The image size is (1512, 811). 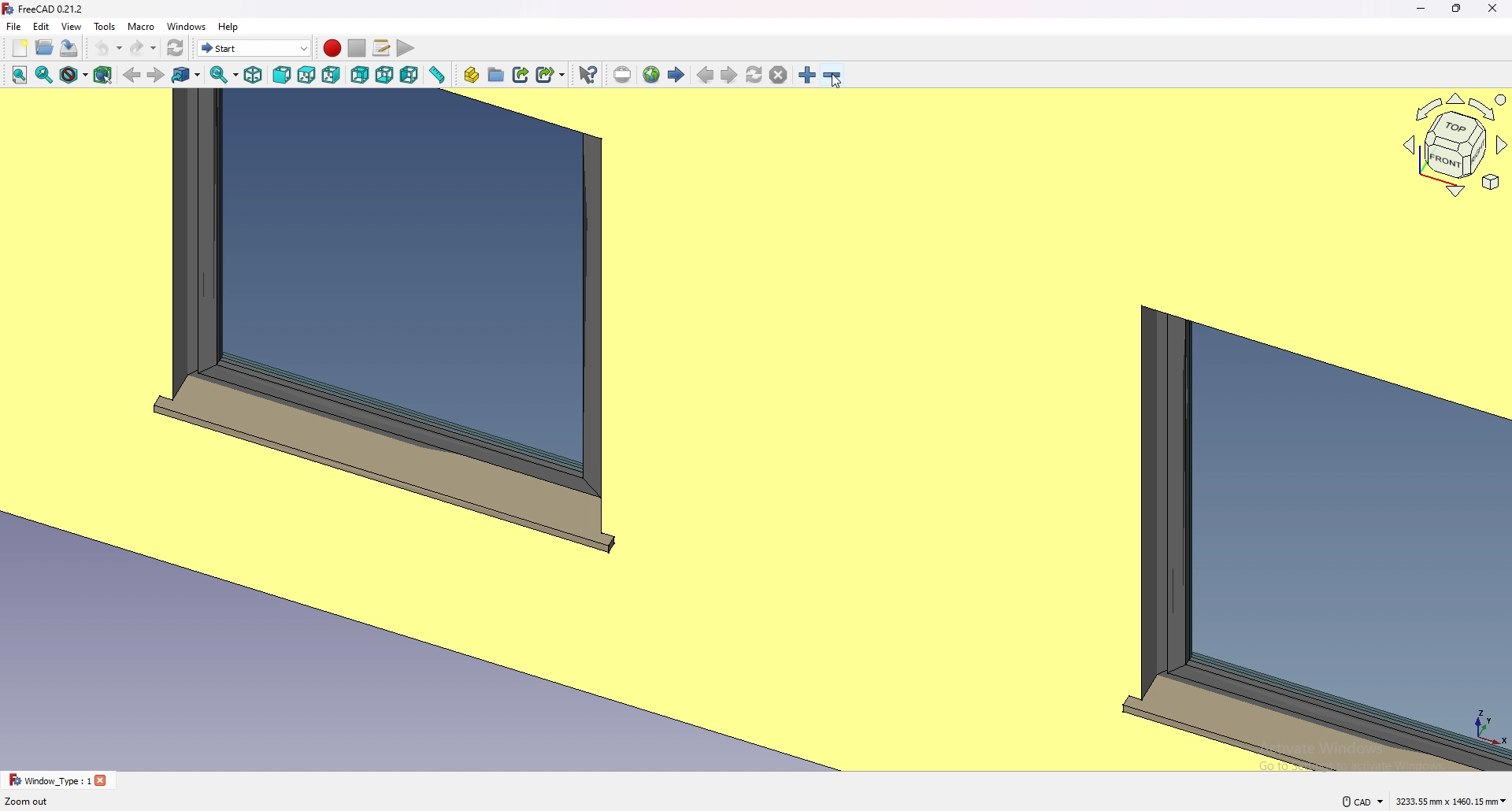 I want to click on set url, so click(x=622, y=76).